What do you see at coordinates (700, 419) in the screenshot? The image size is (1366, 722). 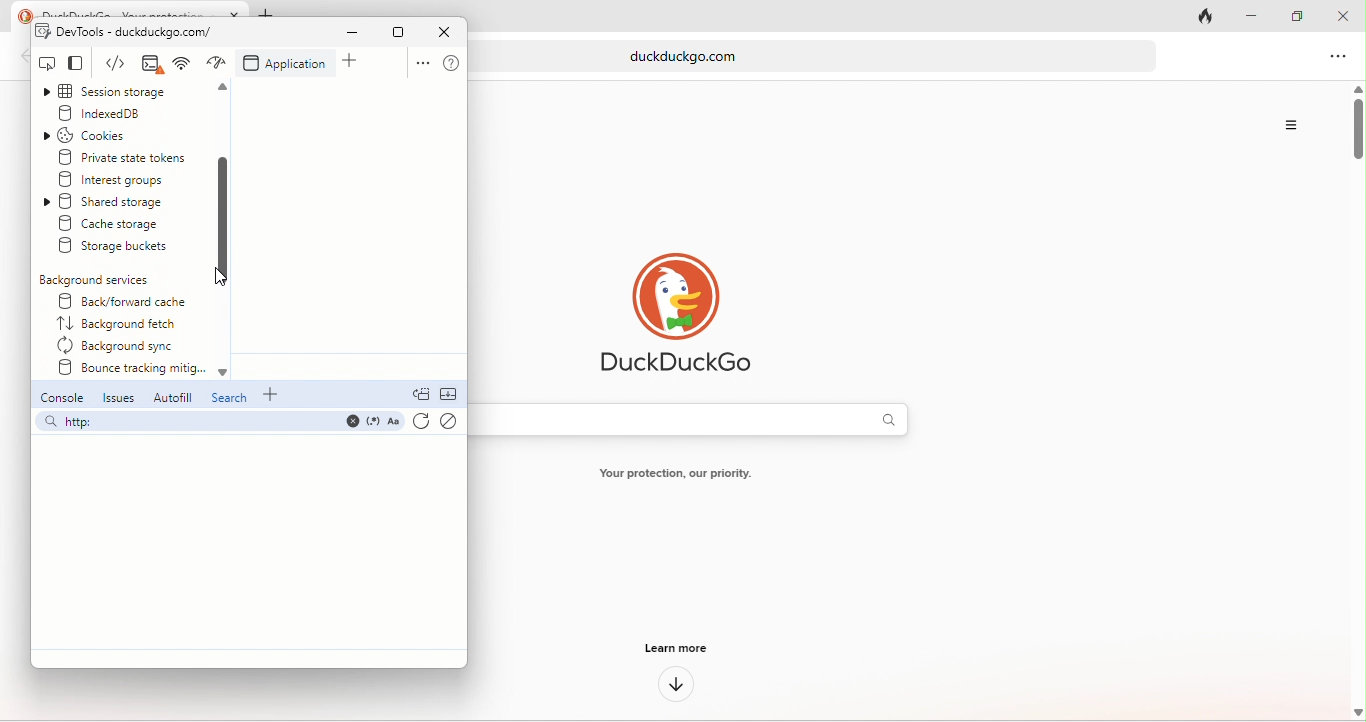 I see `search bar` at bounding box center [700, 419].